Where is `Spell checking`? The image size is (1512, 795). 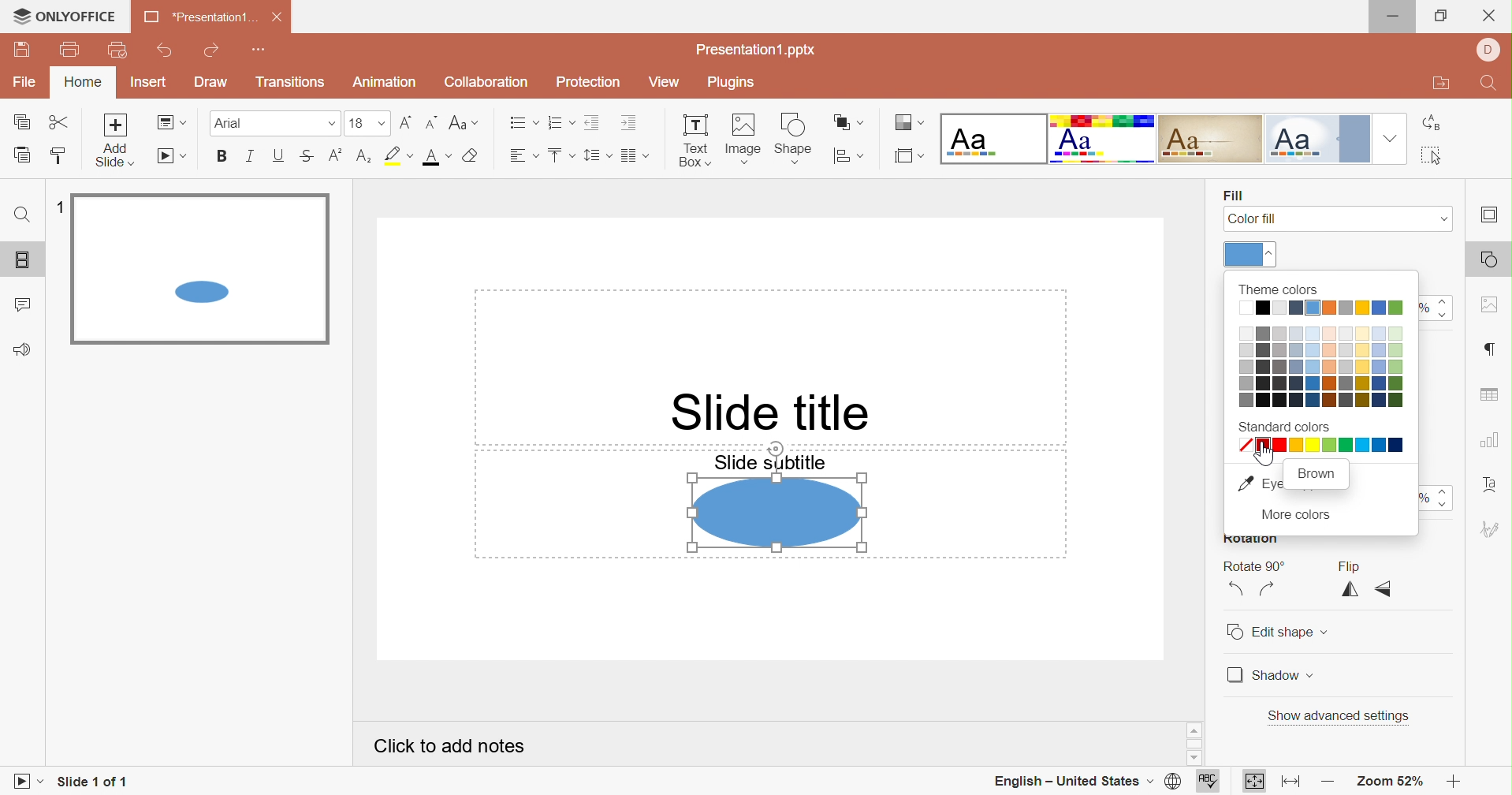 Spell checking is located at coordinates (1210, 781).